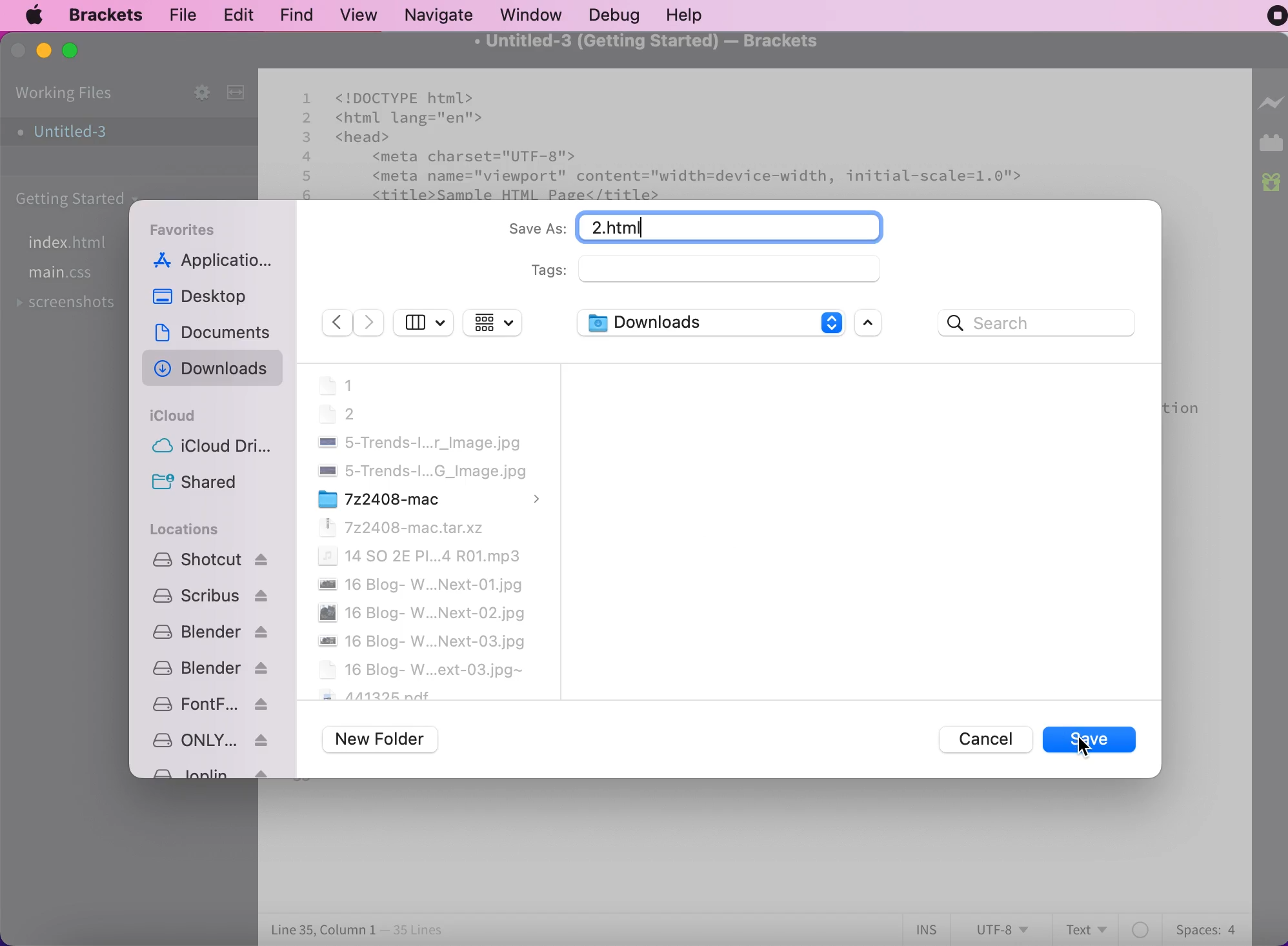 The width and height of the screenshot is (1288, 946). Describe the element at coordinates (210, 668) in the screenshot. I see `blender` at that location.